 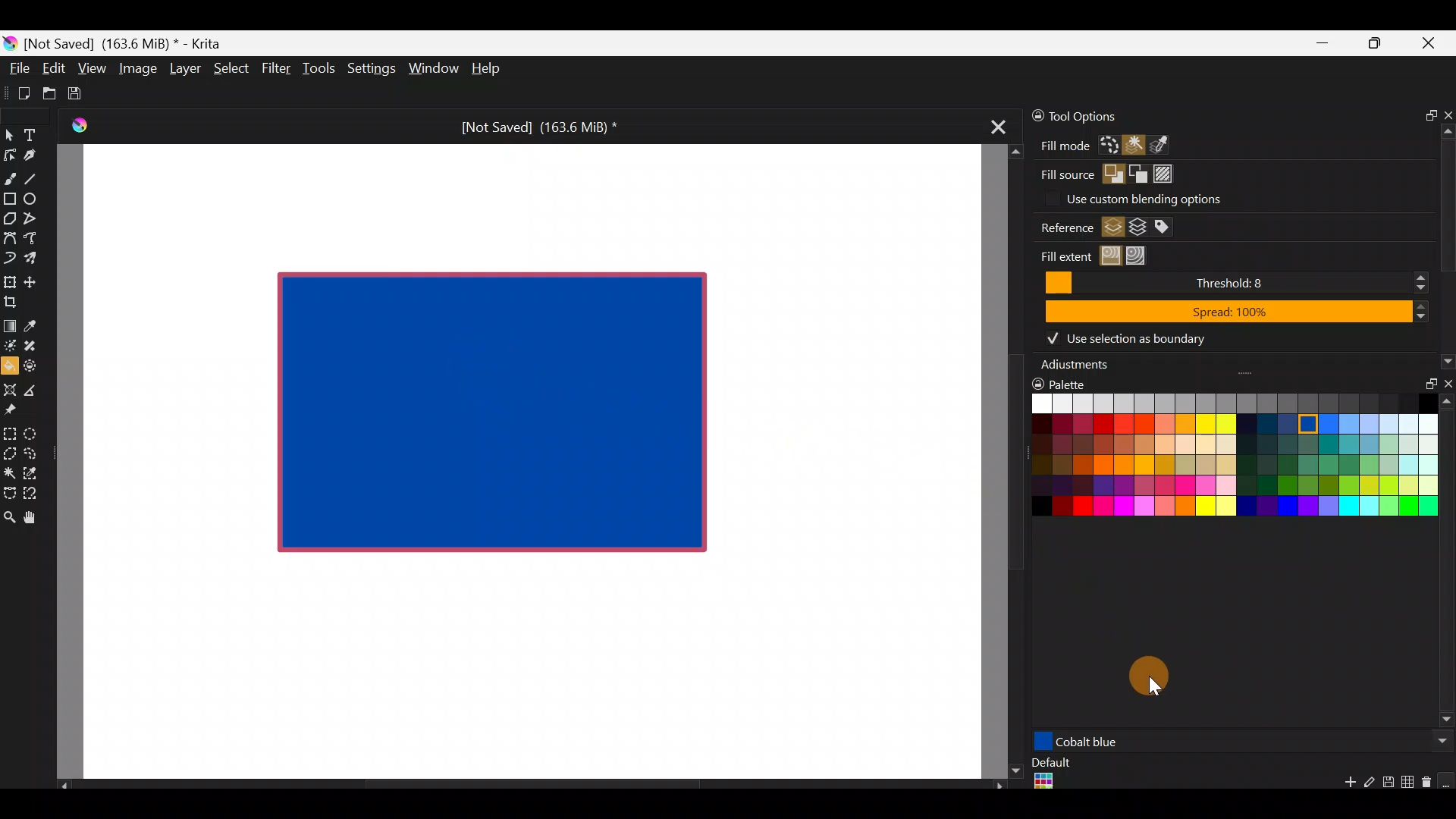 I want to click on Close docker, so click(x=1446, y=111).